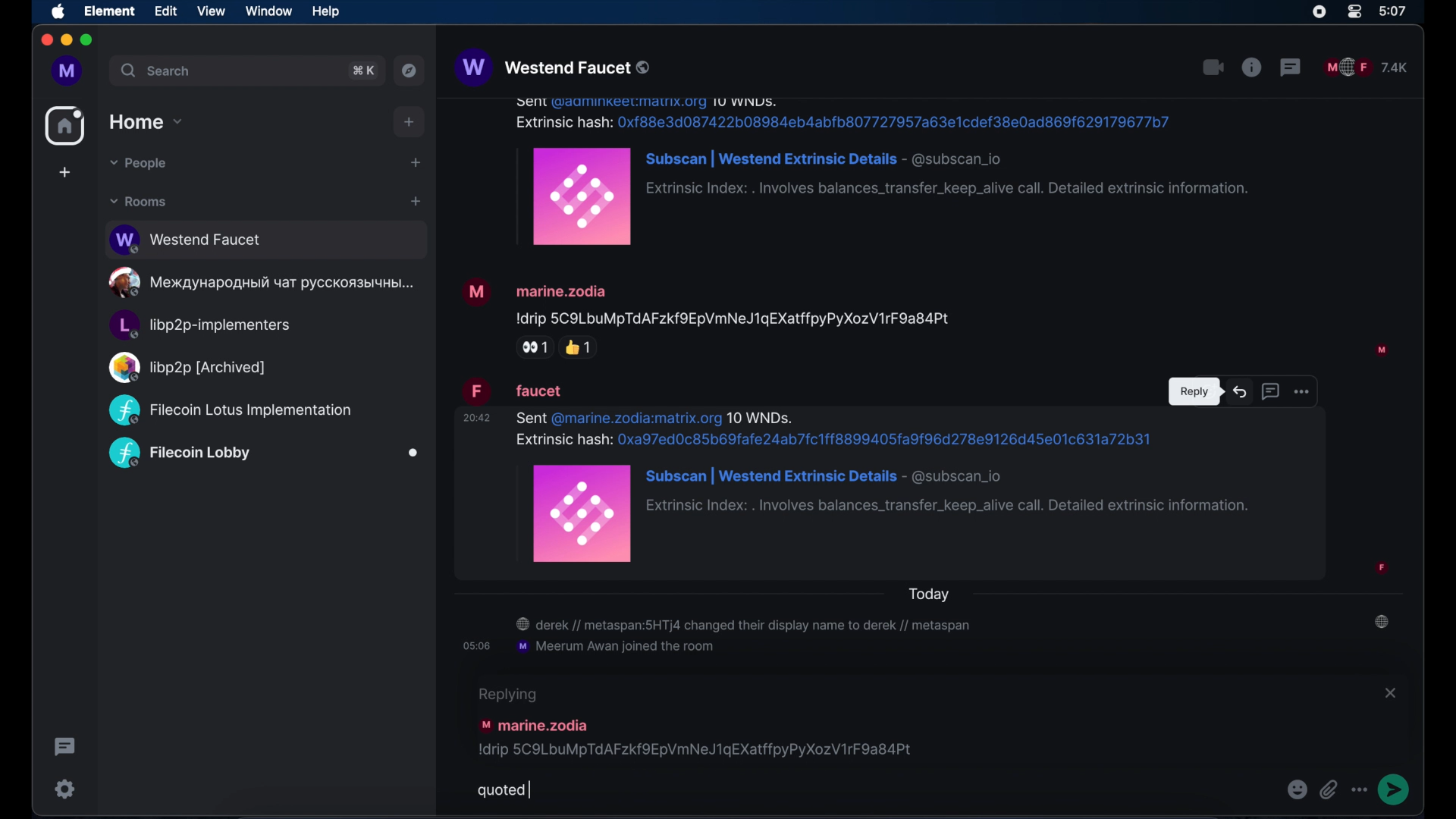 Image resolution: width=1456 pixels, height=819 pixels. What do you see at coordinates (409, 71) in the screenshot?
I see `explore public rooms` at bounding box center [409, 71].